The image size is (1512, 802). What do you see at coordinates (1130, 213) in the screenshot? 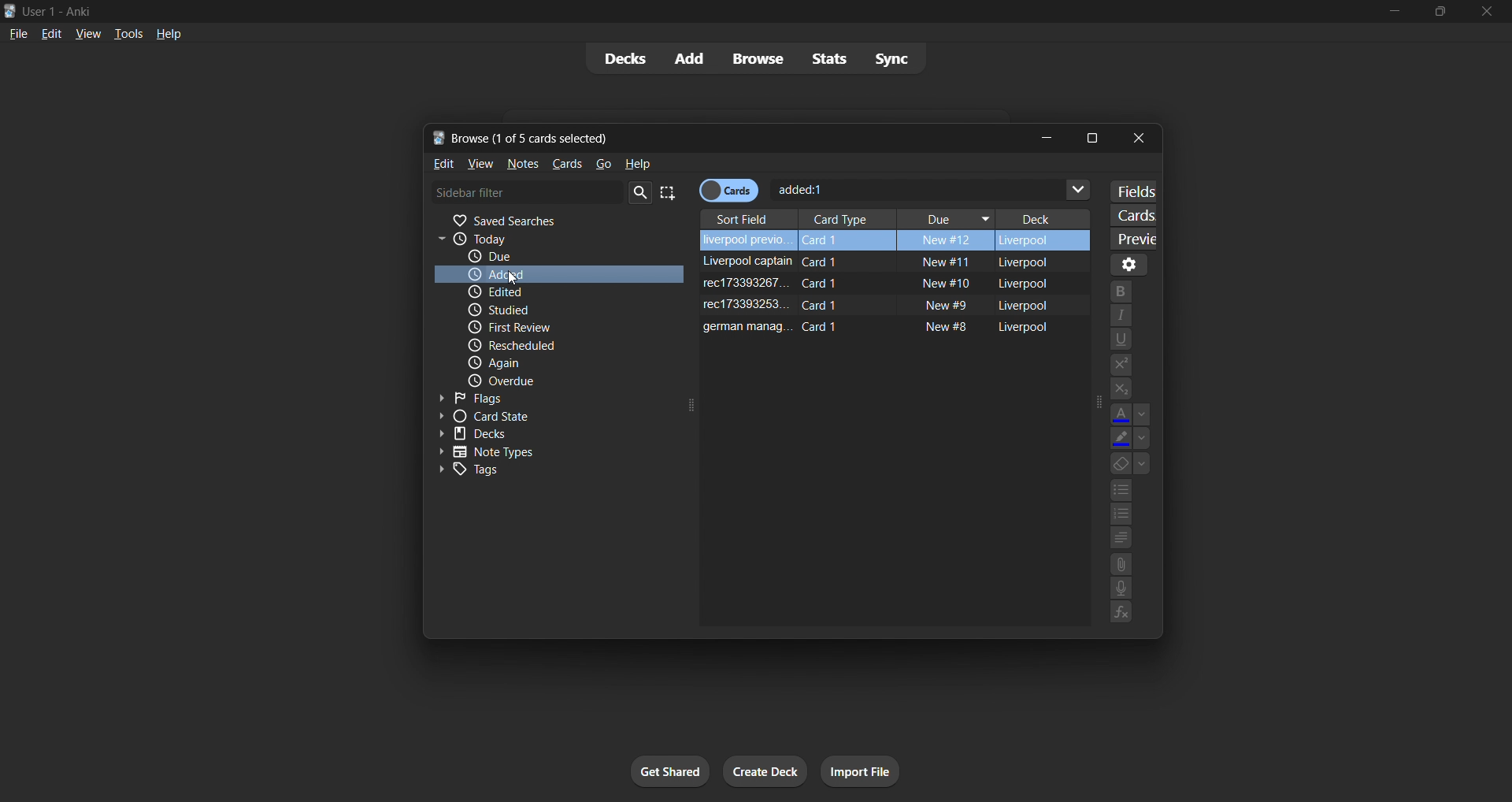
I see `customize card templates` at bounding box center [1130, 213].